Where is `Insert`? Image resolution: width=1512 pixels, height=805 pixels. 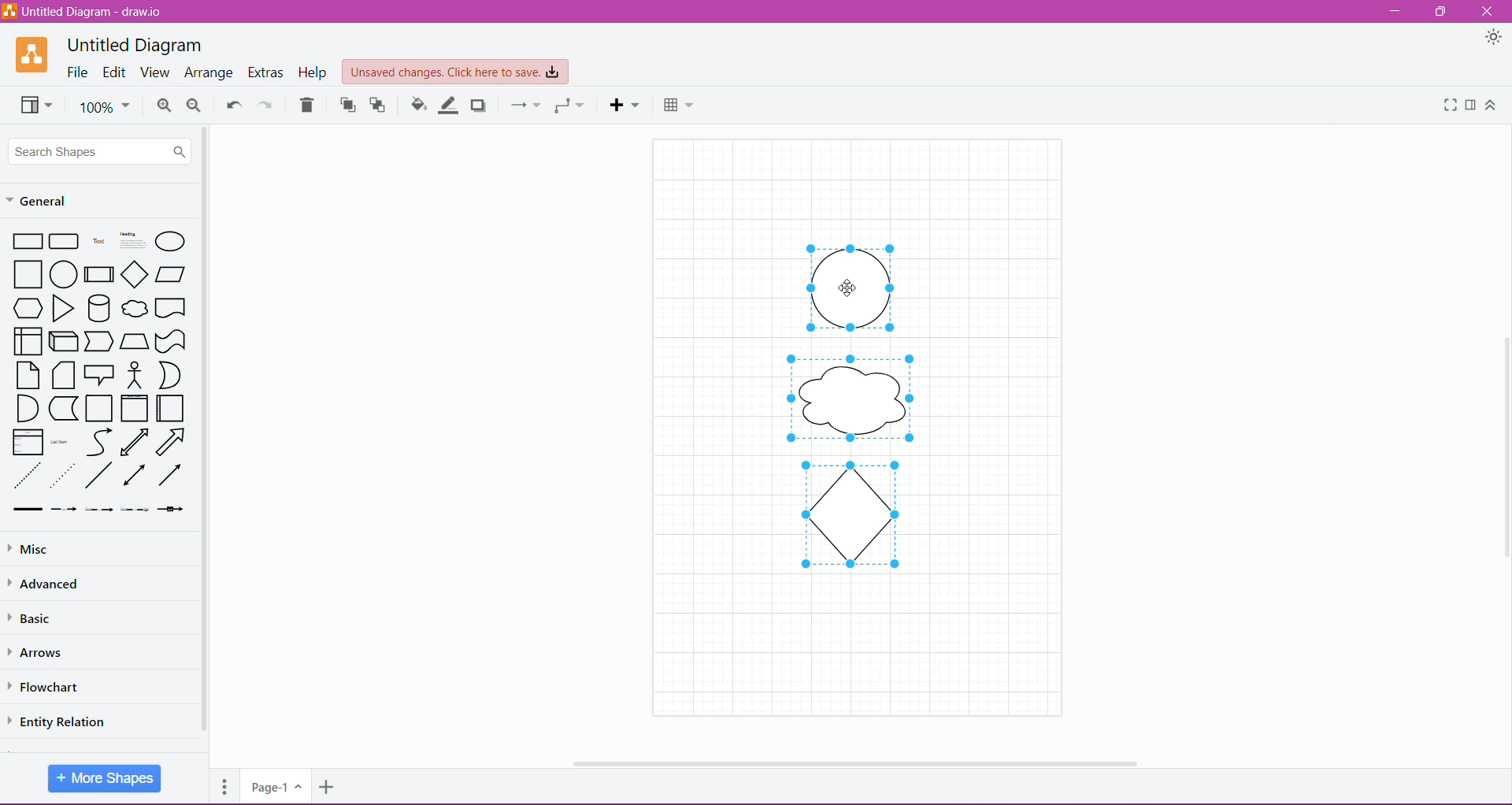 Insert is located at coordinates (624, 105).